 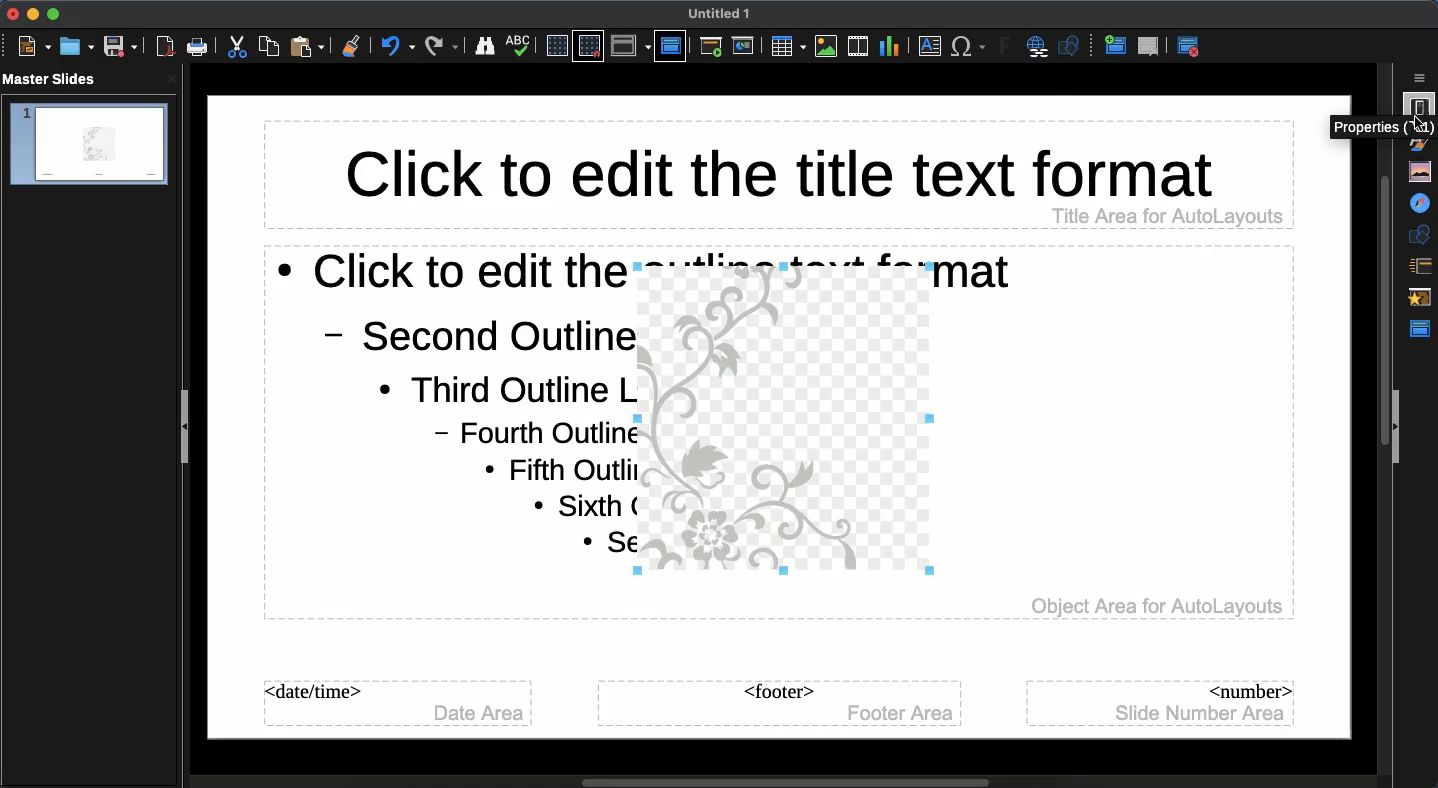 What do you see at coordinates (30, 14) in the screenshot?
I see `Minimize` at bounding box center [30, 14].